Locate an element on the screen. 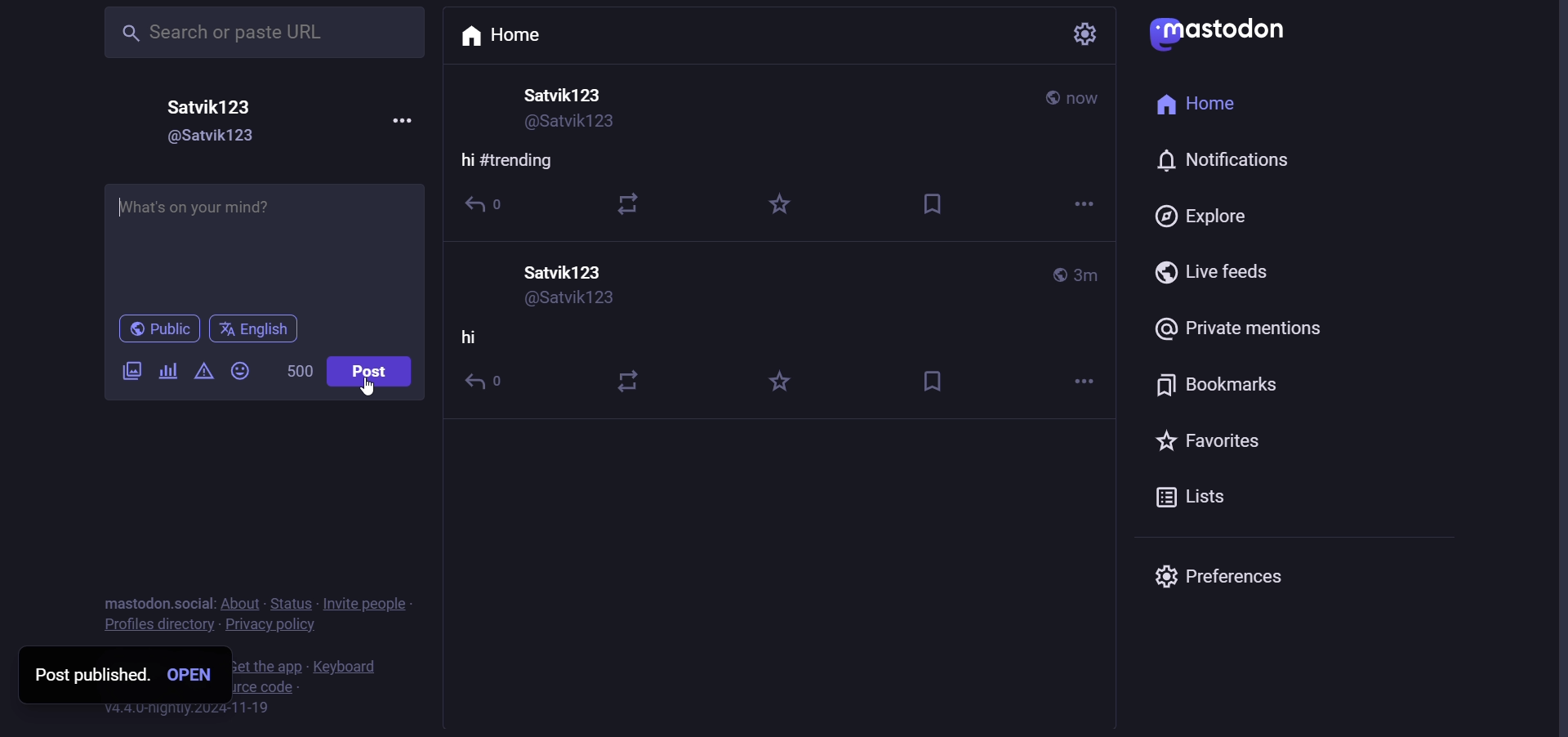 This screenshot has height=737, width=1568. home is located at coordinates (510, 34).